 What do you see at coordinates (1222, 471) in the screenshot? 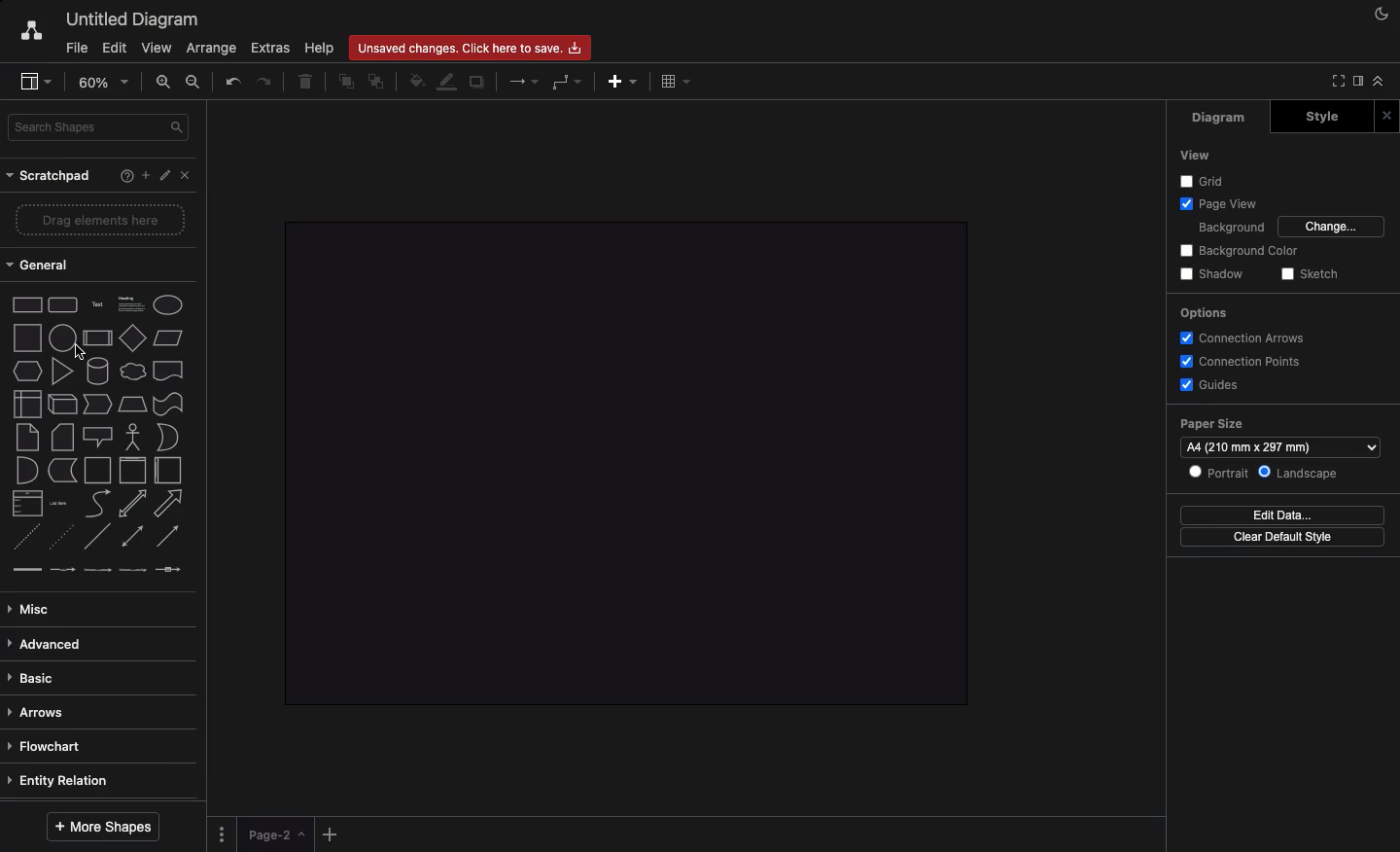
I see `Portrait` at bounding box center [1222, 471].